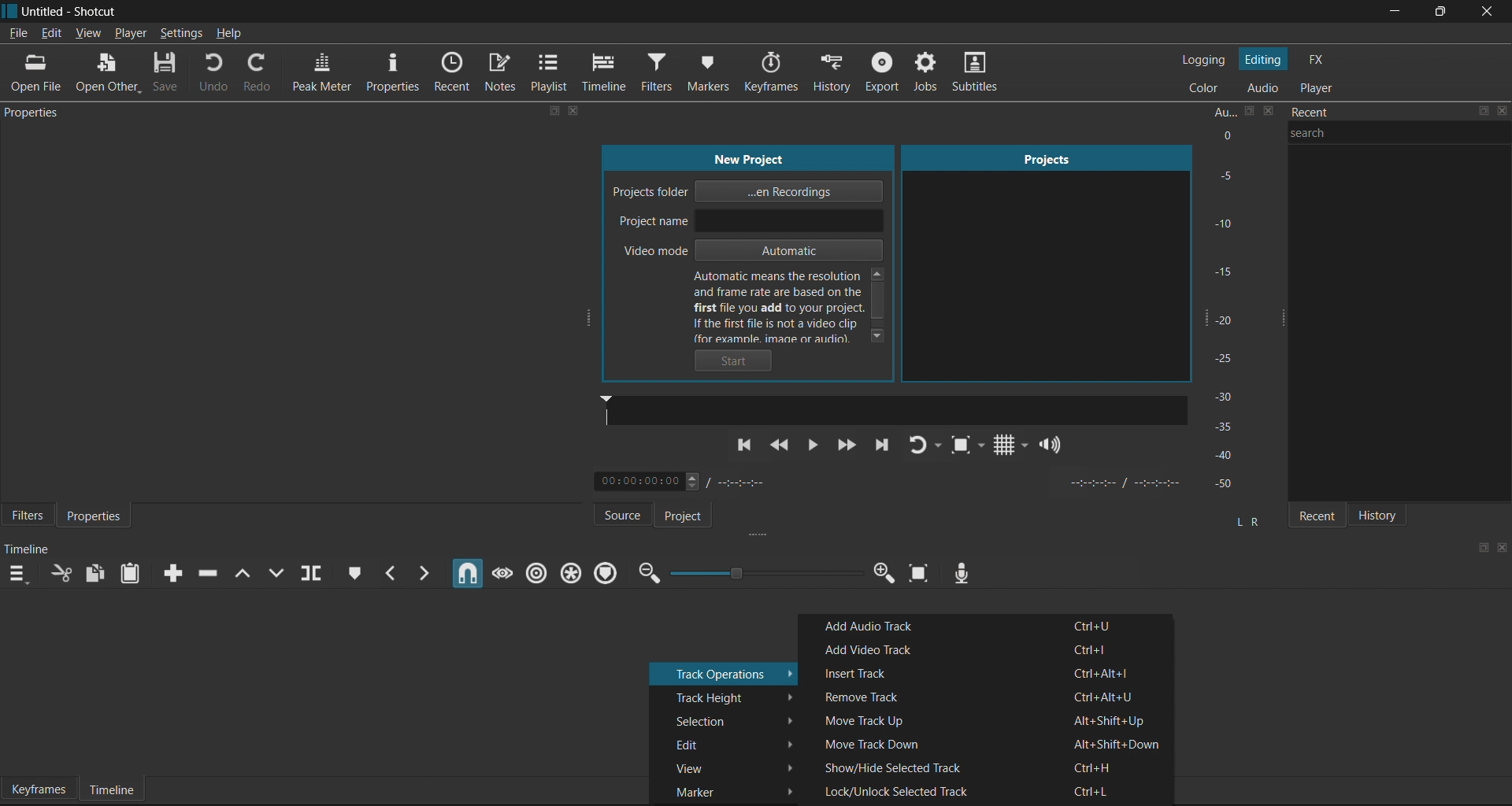 The width and height of the screenshot is (1512, 806). What do you see at coordinates (726, 719) in the screenshot?
I see `Selection` at bounding box center [726, 719].